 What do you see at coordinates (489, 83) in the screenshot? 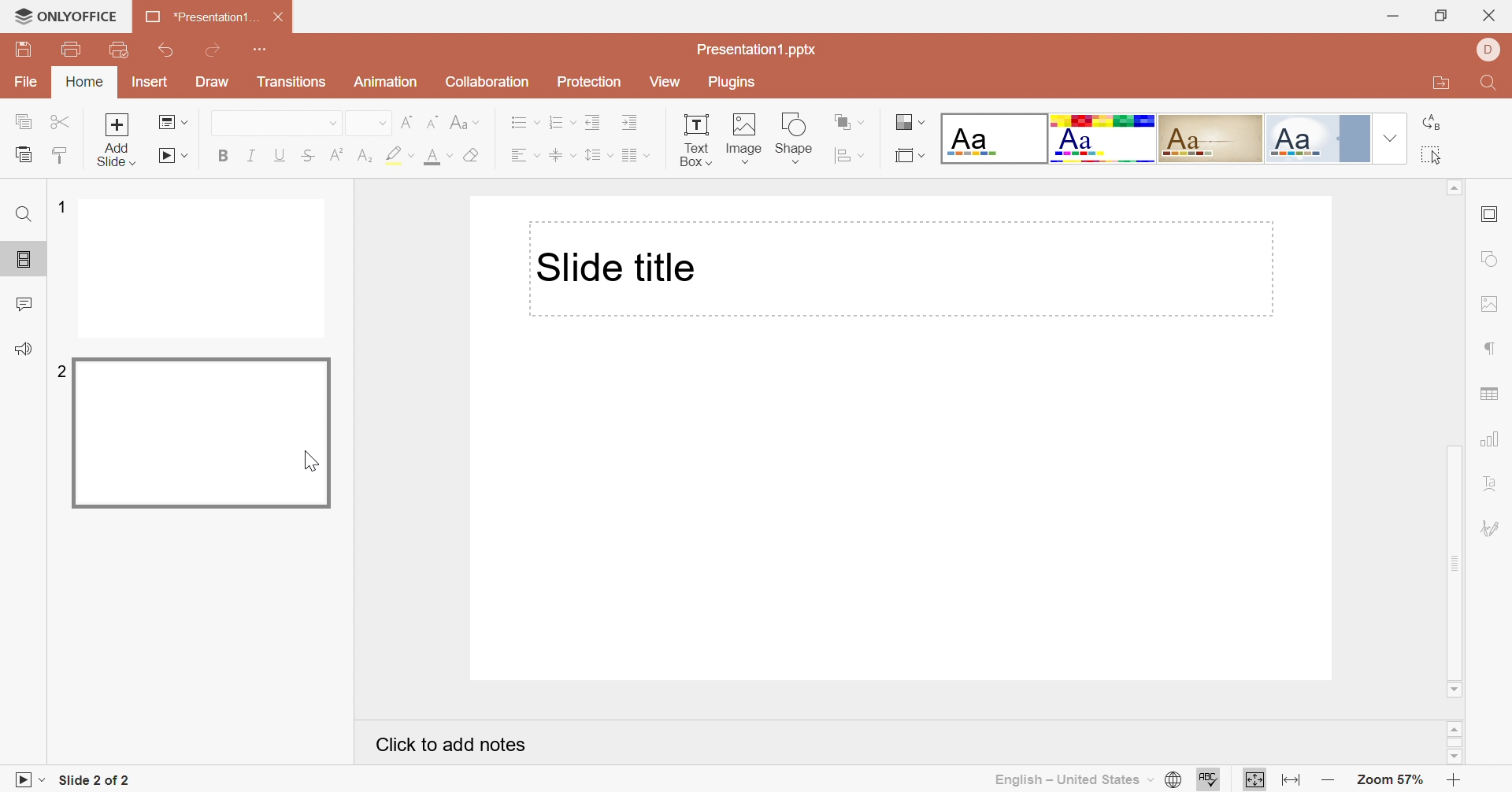
I see `collaboration` at bounding box center [489, 83].